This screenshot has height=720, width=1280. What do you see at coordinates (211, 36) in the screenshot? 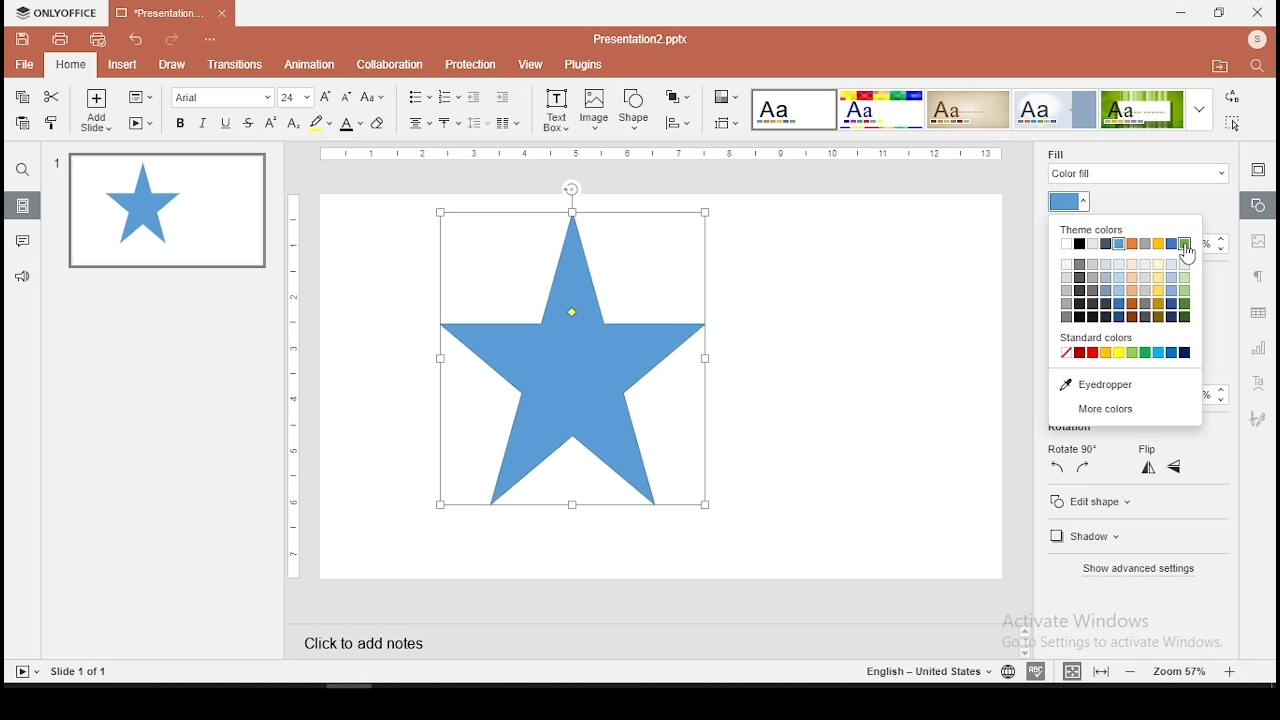
I see `customize quick access toolbar` at bounding box center [211, 36].